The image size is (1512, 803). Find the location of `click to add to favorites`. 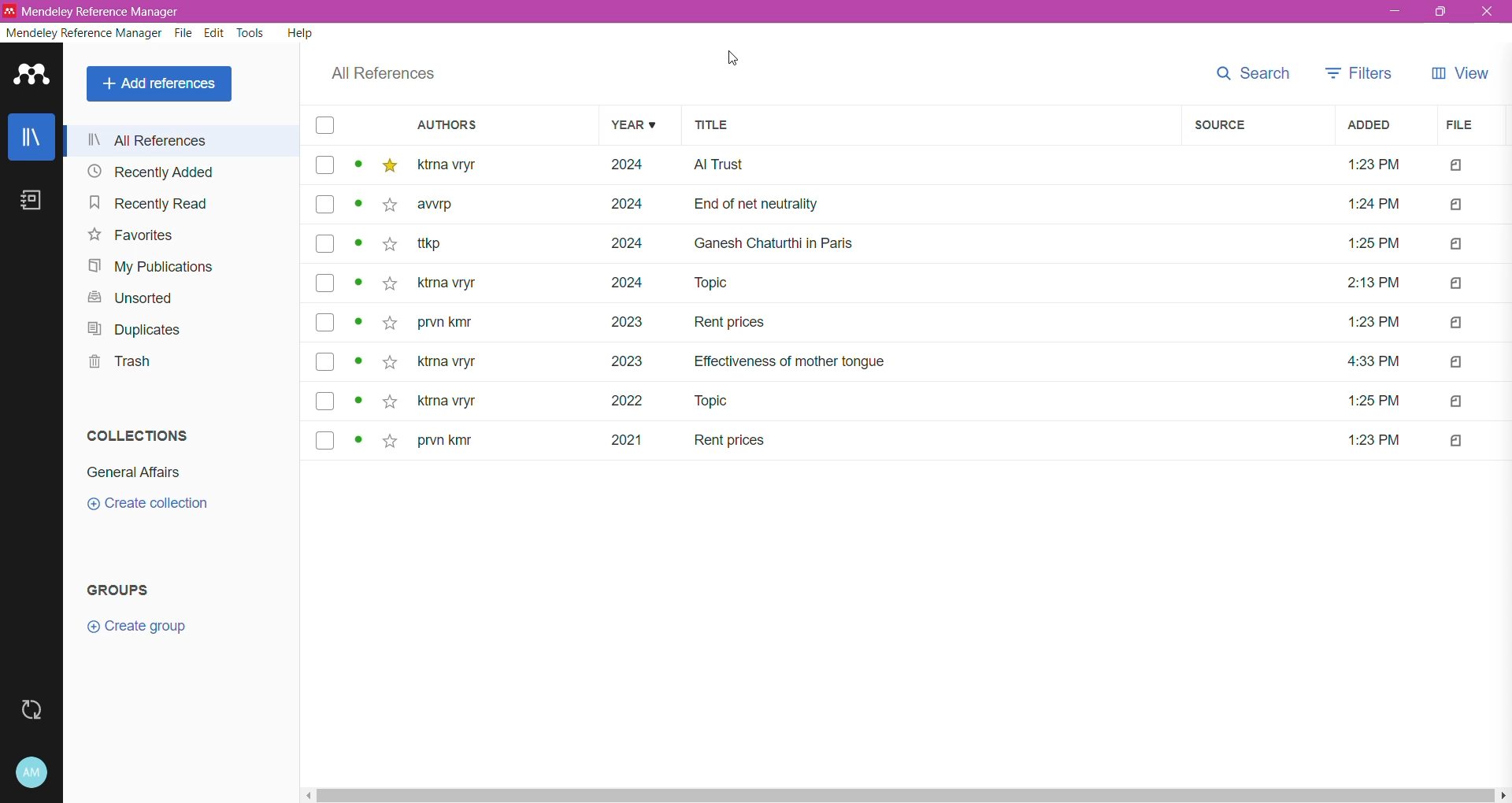

click to add to favorites is located at coordinates (390, 361).